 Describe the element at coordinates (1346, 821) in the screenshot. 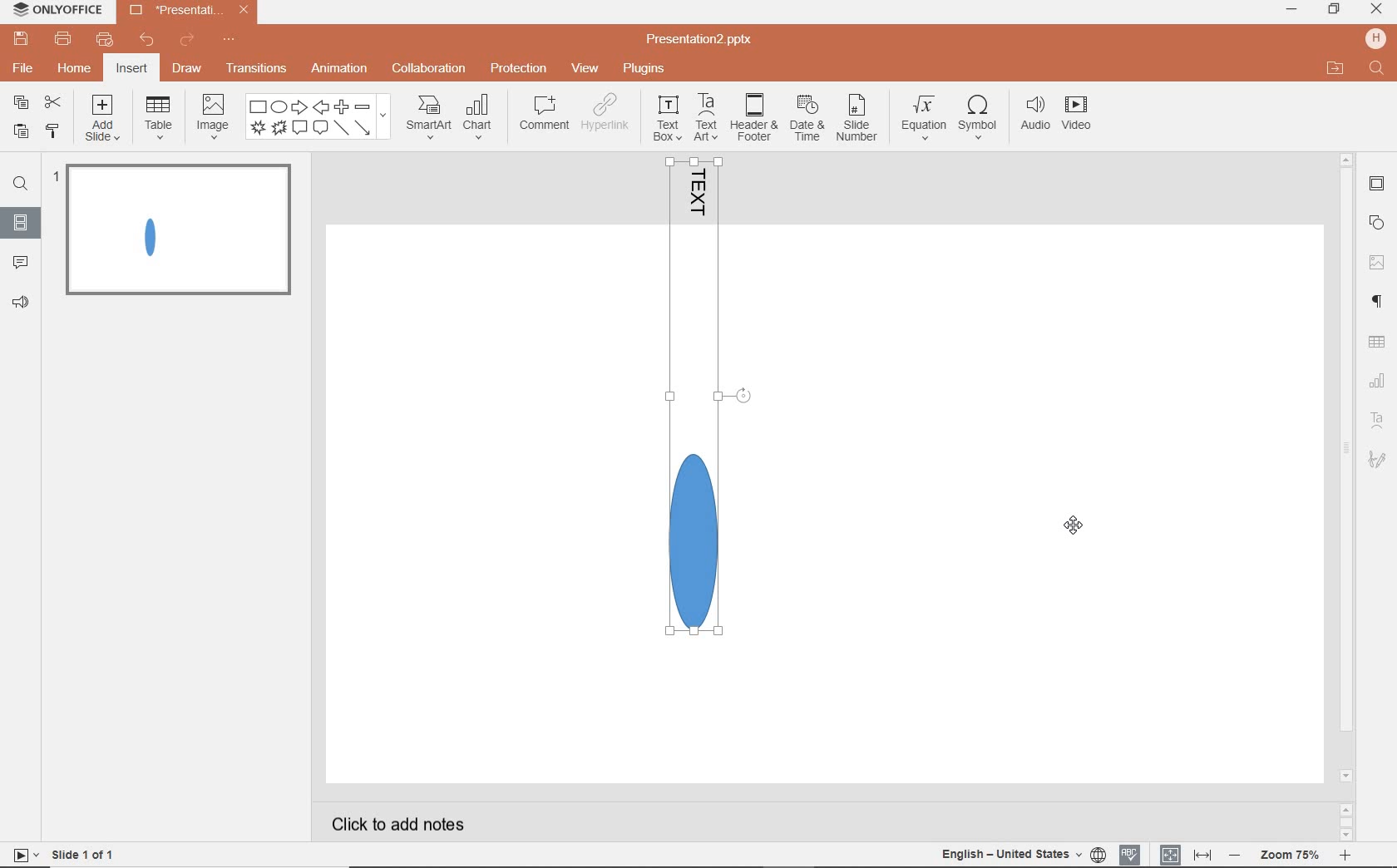

I see `SCROLLBAR` at that location.